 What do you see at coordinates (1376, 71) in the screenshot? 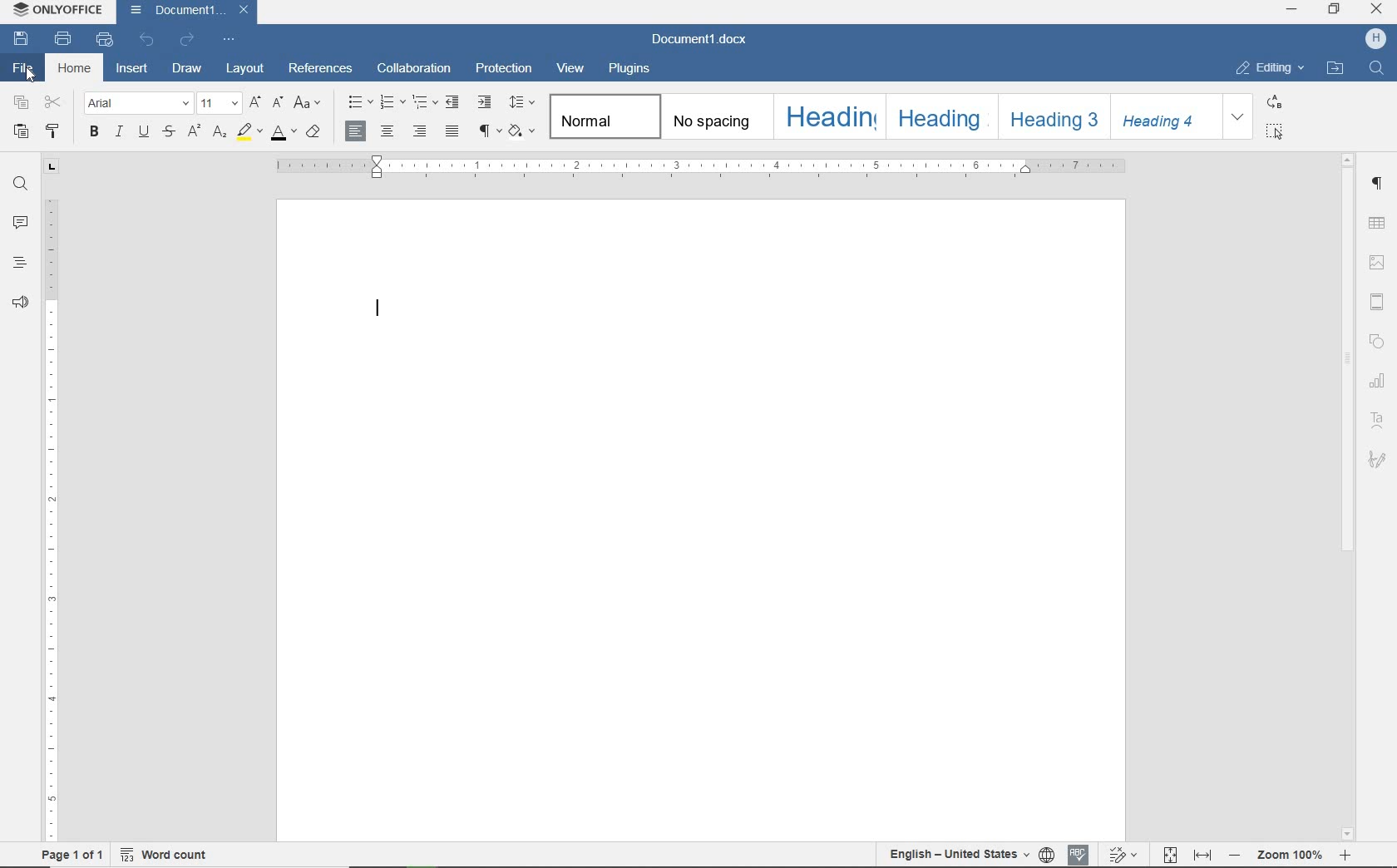
I see `find` at bounding box center [1376, 71].